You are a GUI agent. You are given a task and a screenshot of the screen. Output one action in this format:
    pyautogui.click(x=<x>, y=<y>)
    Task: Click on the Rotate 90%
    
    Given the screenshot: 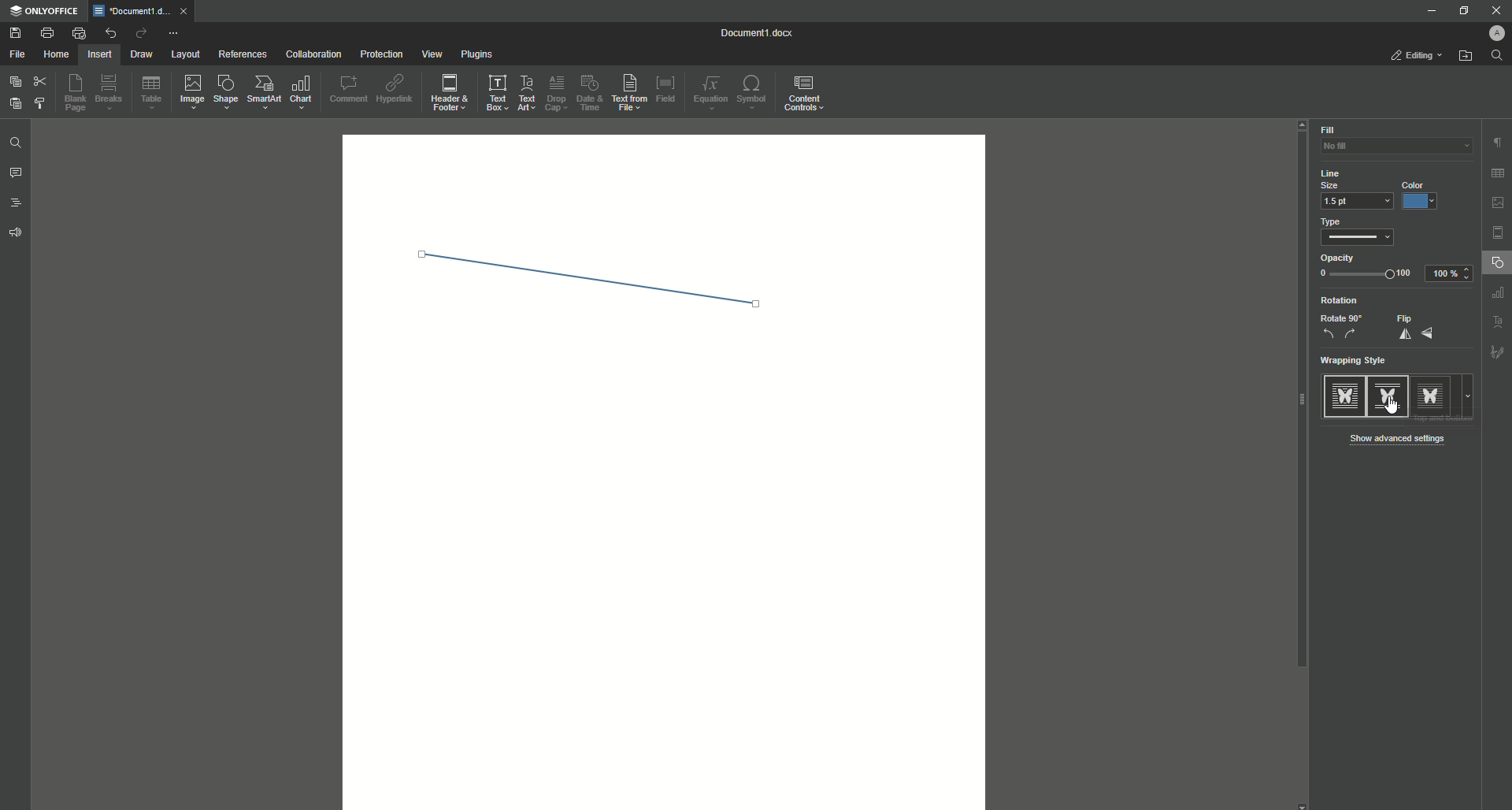 What is the action you would take?
    pyautogui.click(x=1340, y=327)
    